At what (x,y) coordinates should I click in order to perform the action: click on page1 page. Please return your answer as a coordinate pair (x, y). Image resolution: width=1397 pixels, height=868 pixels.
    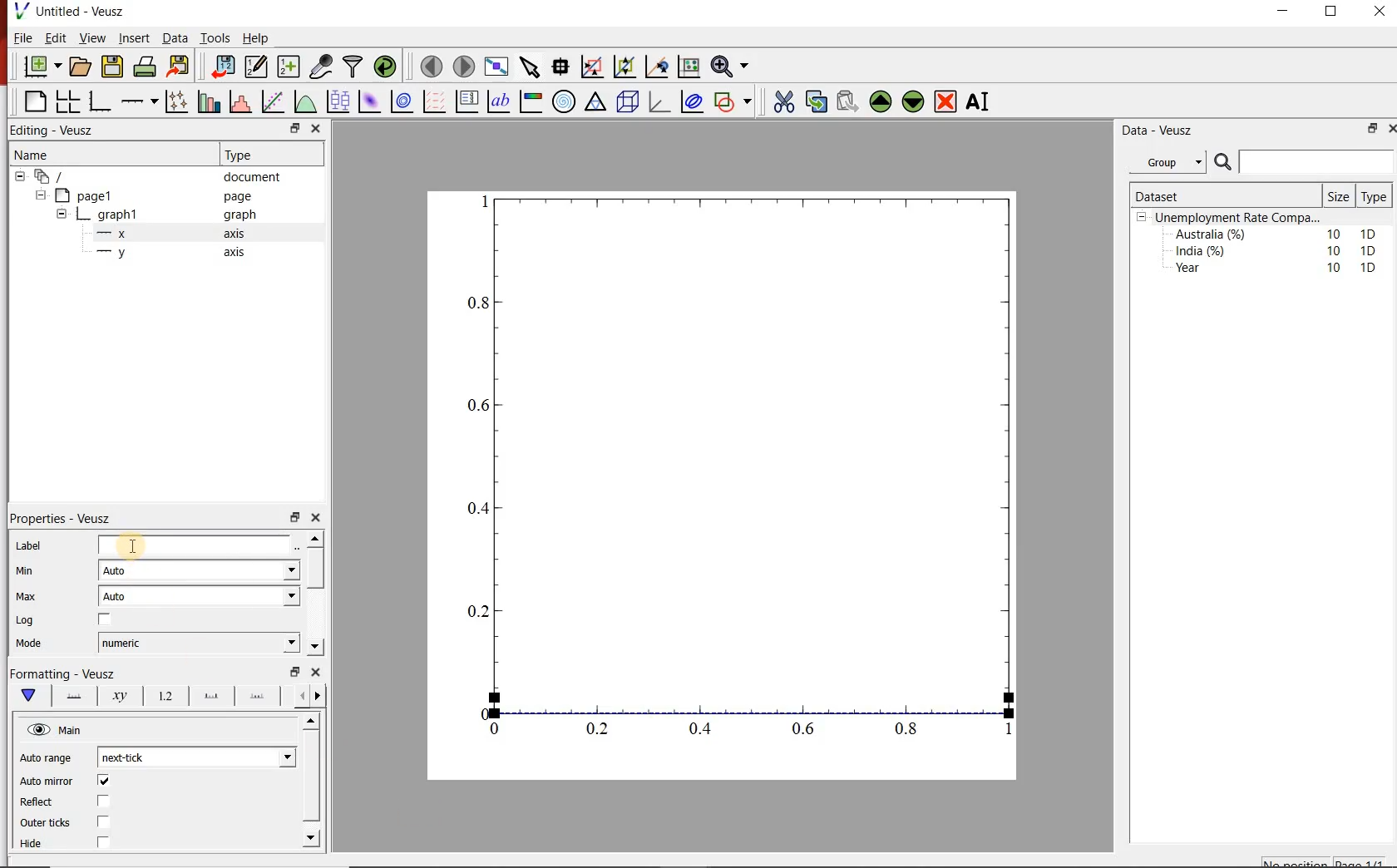
    Looking at the image, I should click on (160, 195).